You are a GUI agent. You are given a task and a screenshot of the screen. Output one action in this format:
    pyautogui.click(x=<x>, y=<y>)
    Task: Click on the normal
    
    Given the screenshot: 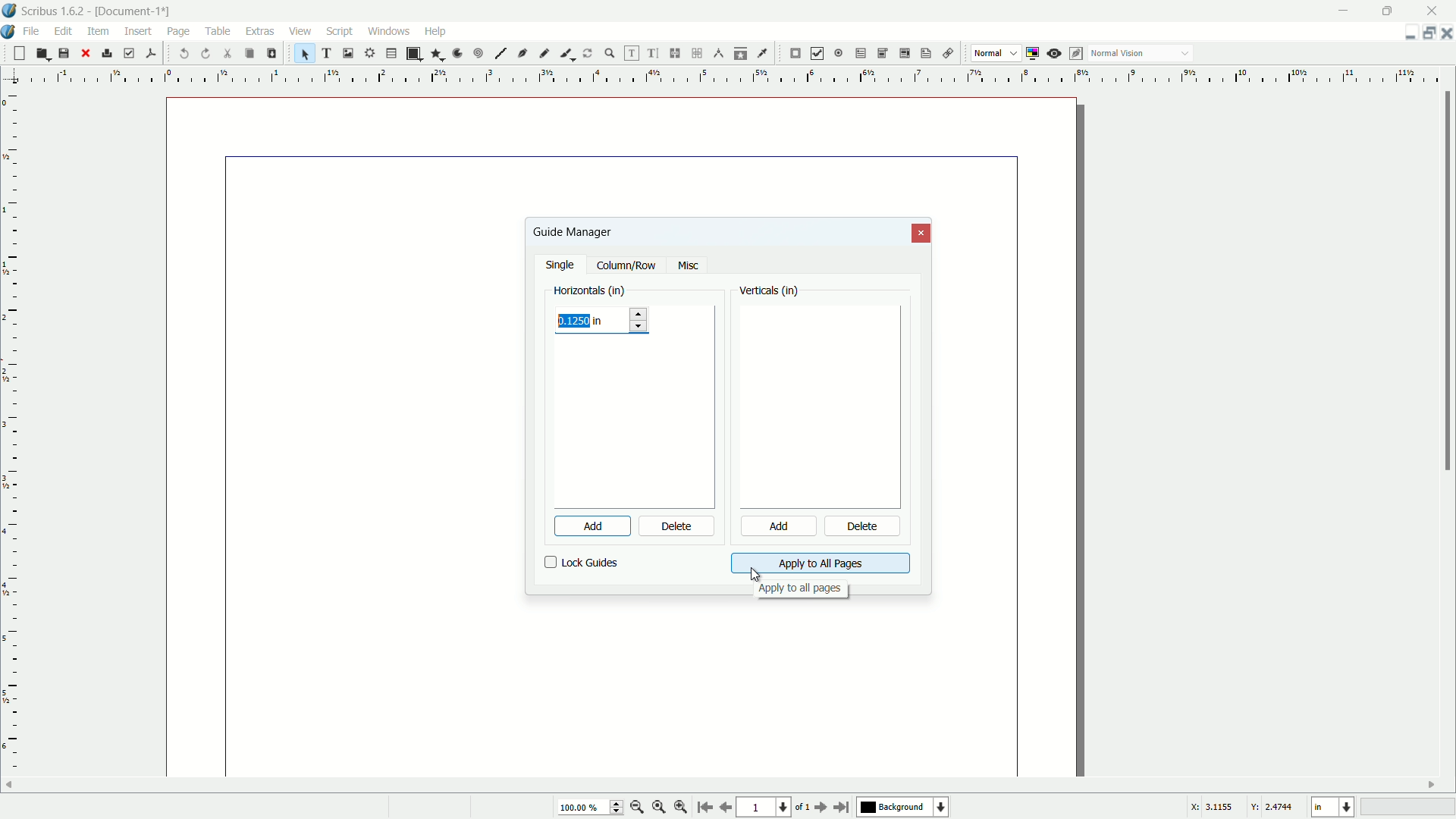 What is the action you would take?
    pyautogui.click(x=987, y=52)
    